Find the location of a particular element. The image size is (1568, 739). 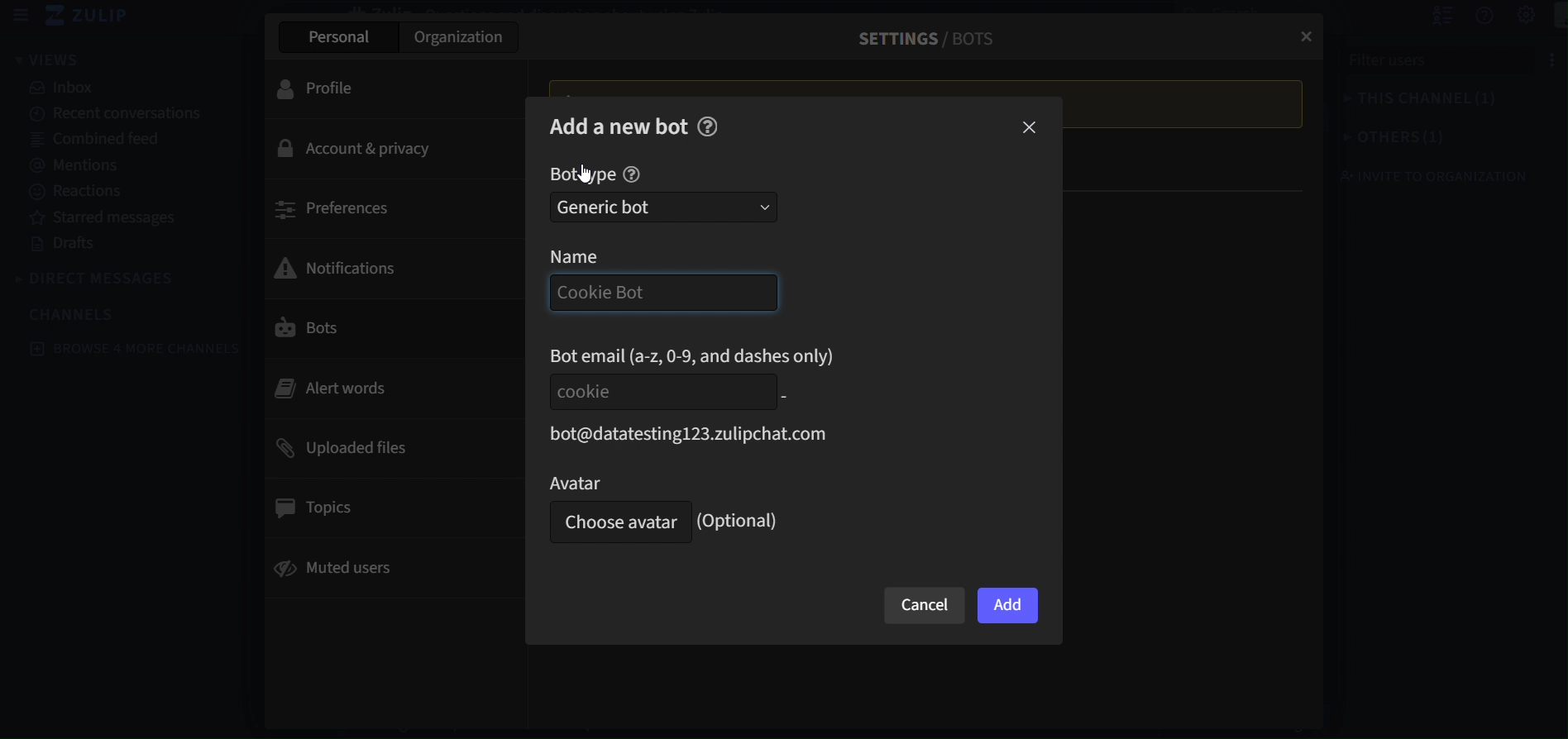

direct messages is located at coordinates (100, 279).